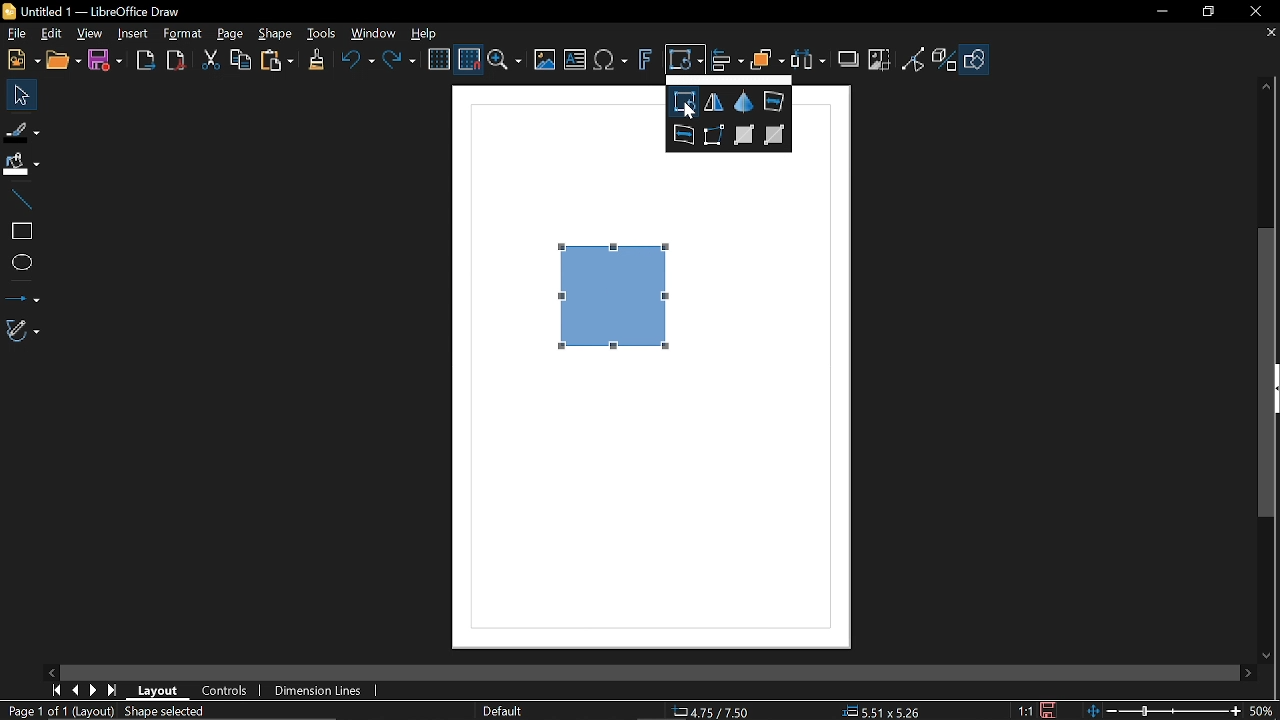 This screenshot has width=1280, height=720. I want to click on Controls, so click(224, 691).